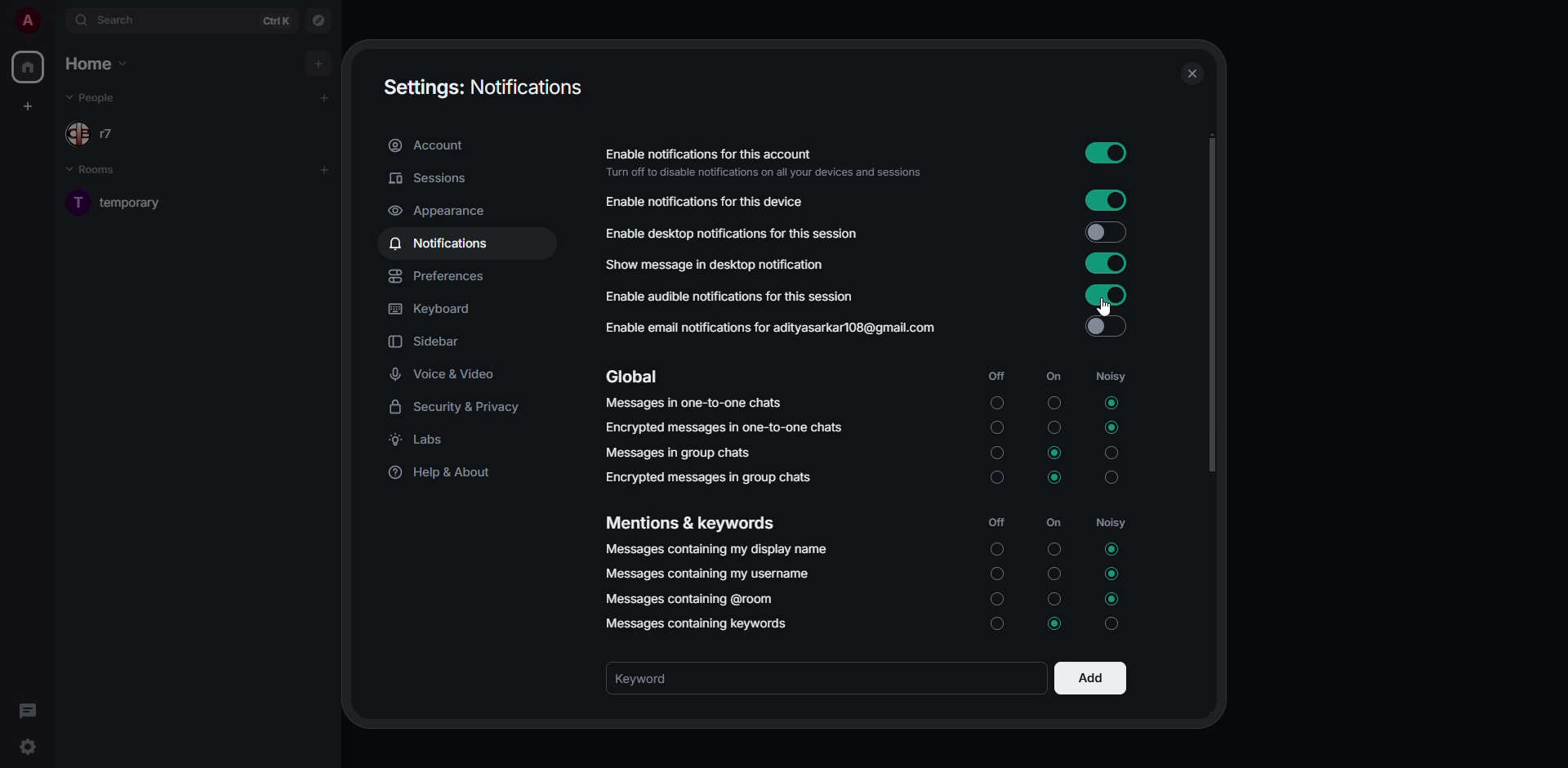 The image size is (1568, 768). Describe the element at coordinates (998, 625) in the screenshot. I see `Off Unselected` at that location.